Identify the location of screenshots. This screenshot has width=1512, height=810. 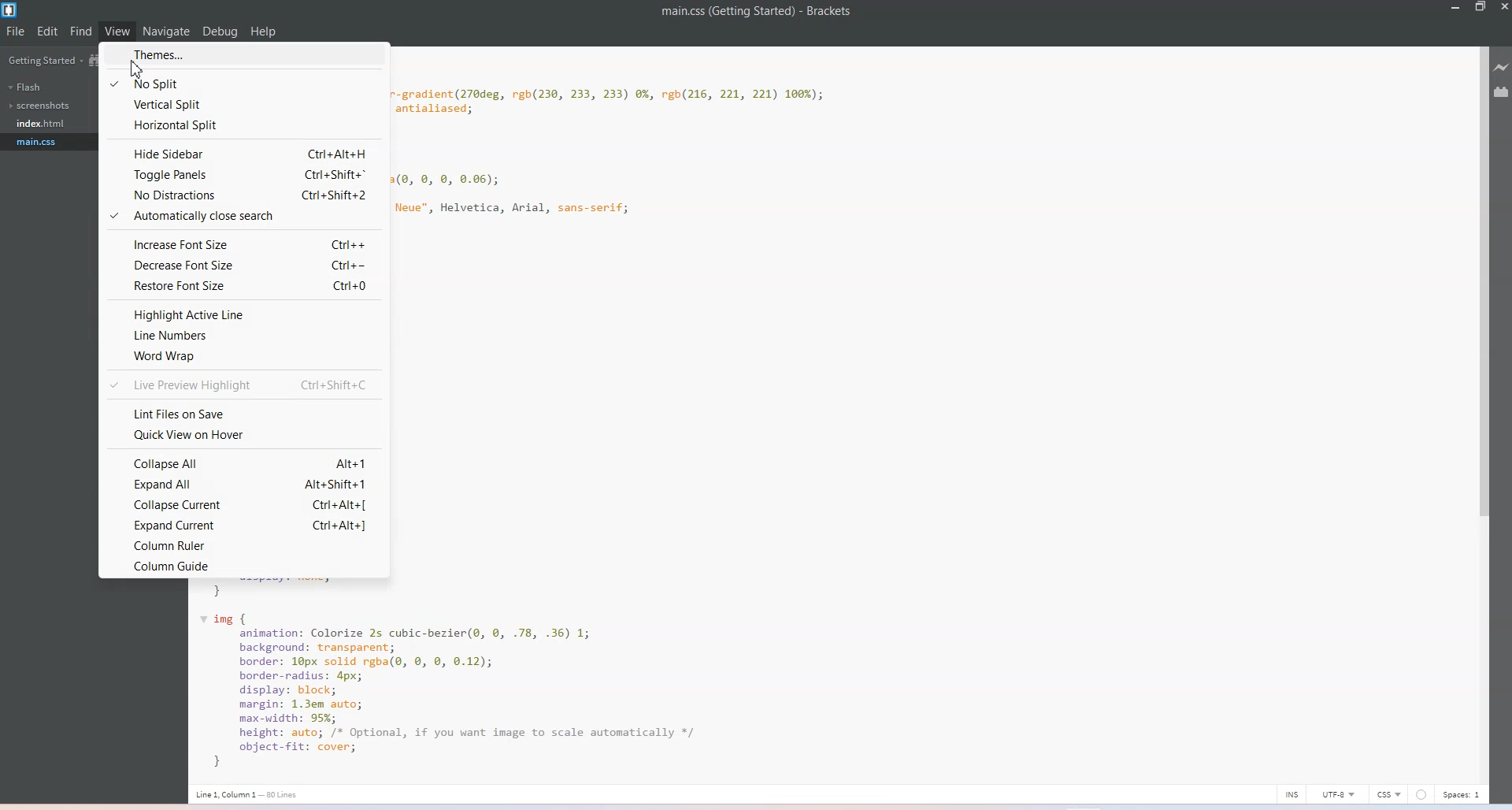
(42, 106).